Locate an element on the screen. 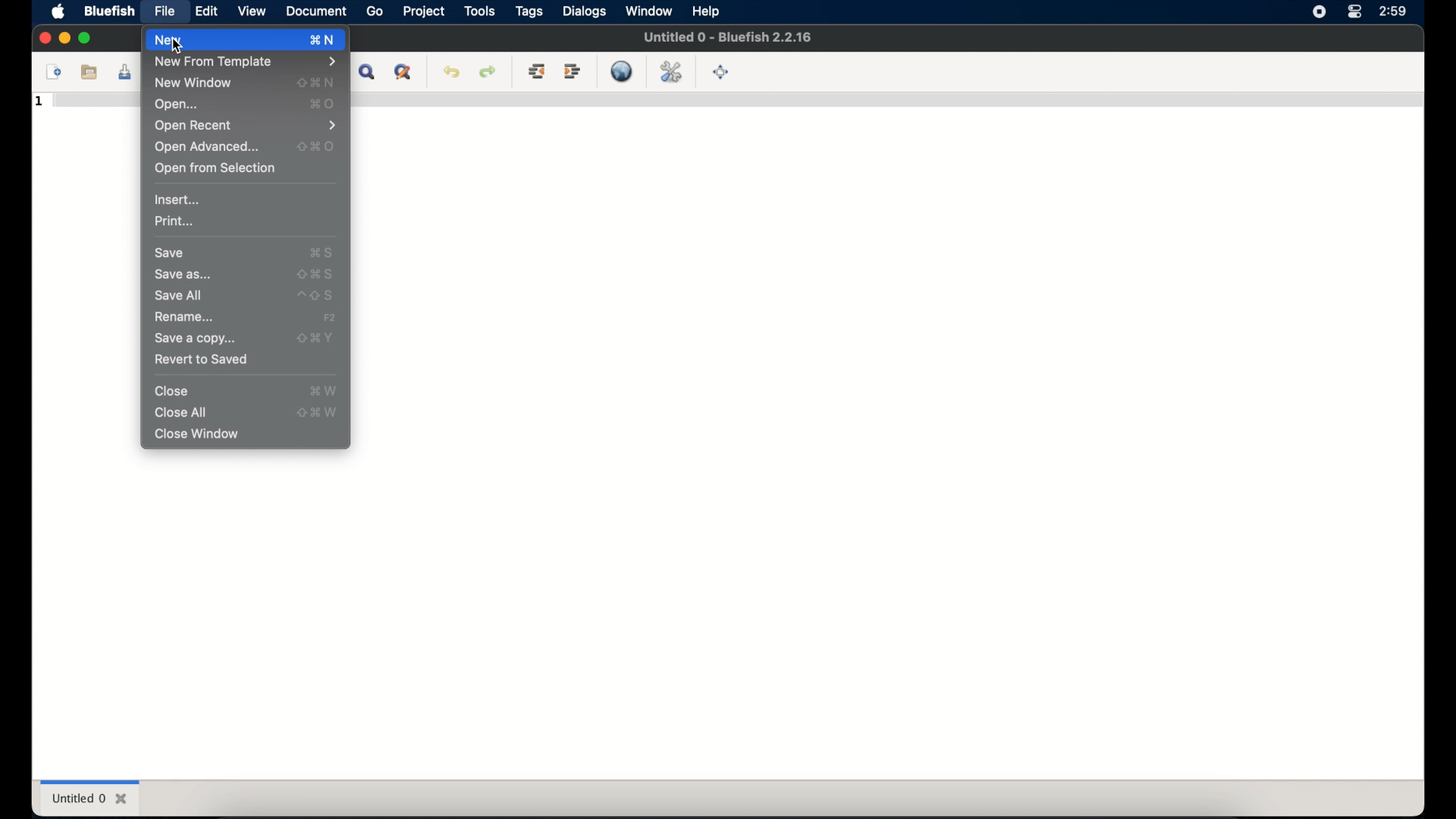 This screenshot has width=1456, height=819. tags is located at coordinates (530, 11).